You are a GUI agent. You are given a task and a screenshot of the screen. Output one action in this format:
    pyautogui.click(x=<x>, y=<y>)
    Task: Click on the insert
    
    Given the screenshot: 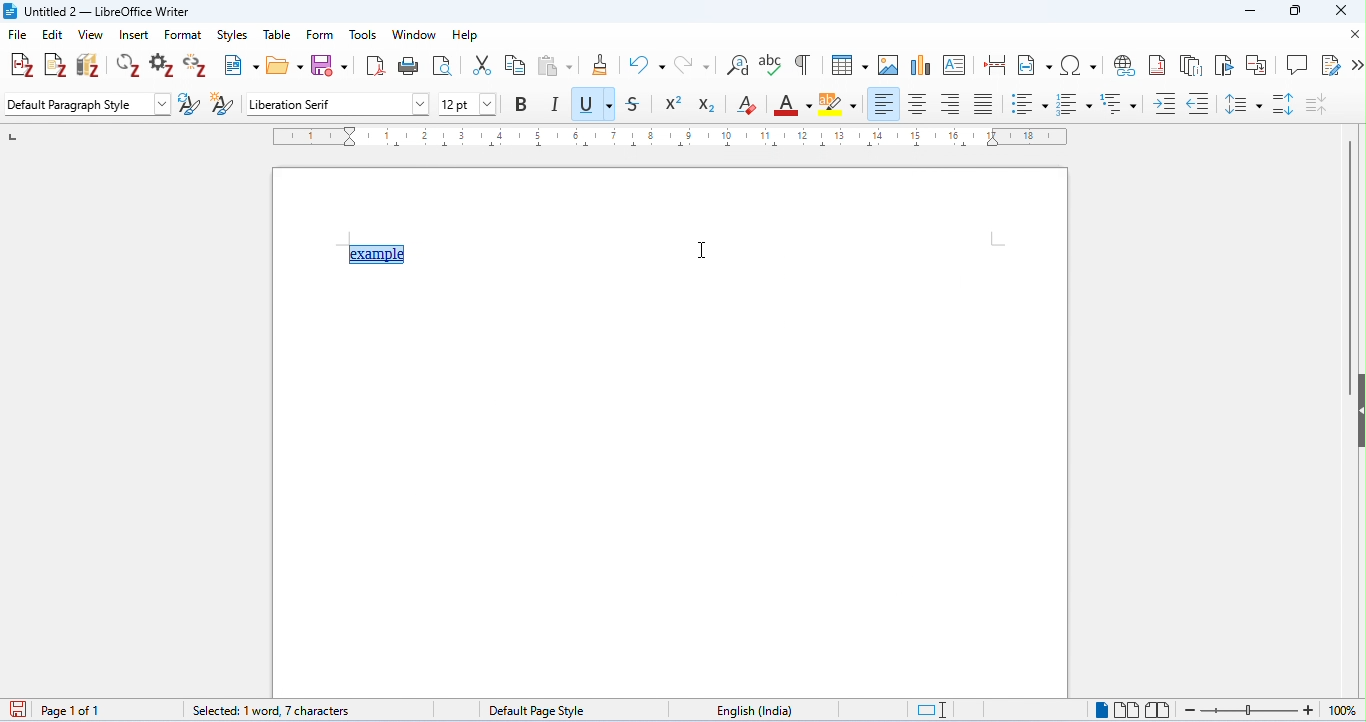 What is the action you would take?
    pyautogui.click(x=134, y=35)
    